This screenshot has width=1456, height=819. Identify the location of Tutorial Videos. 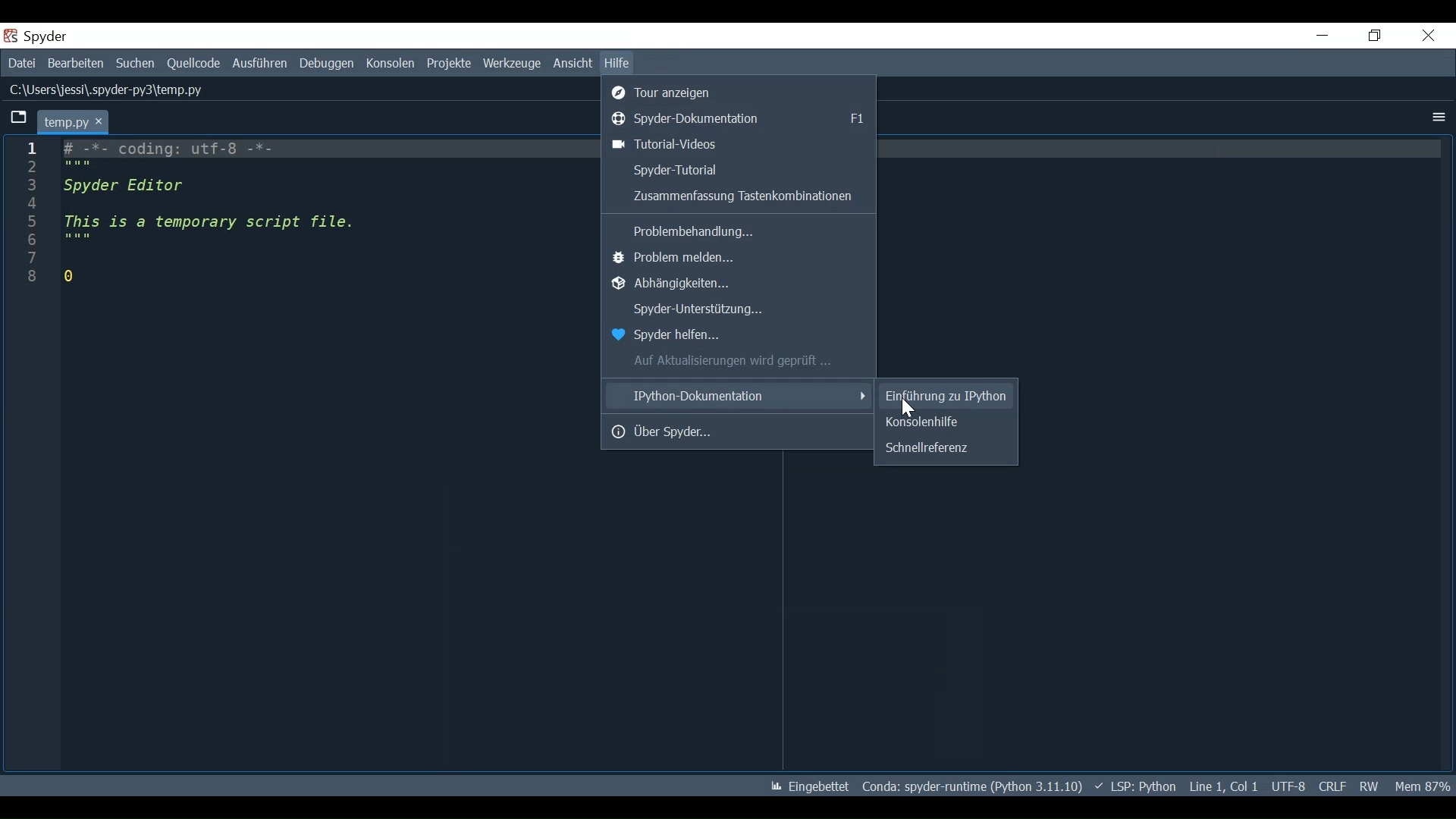
(739, 144).